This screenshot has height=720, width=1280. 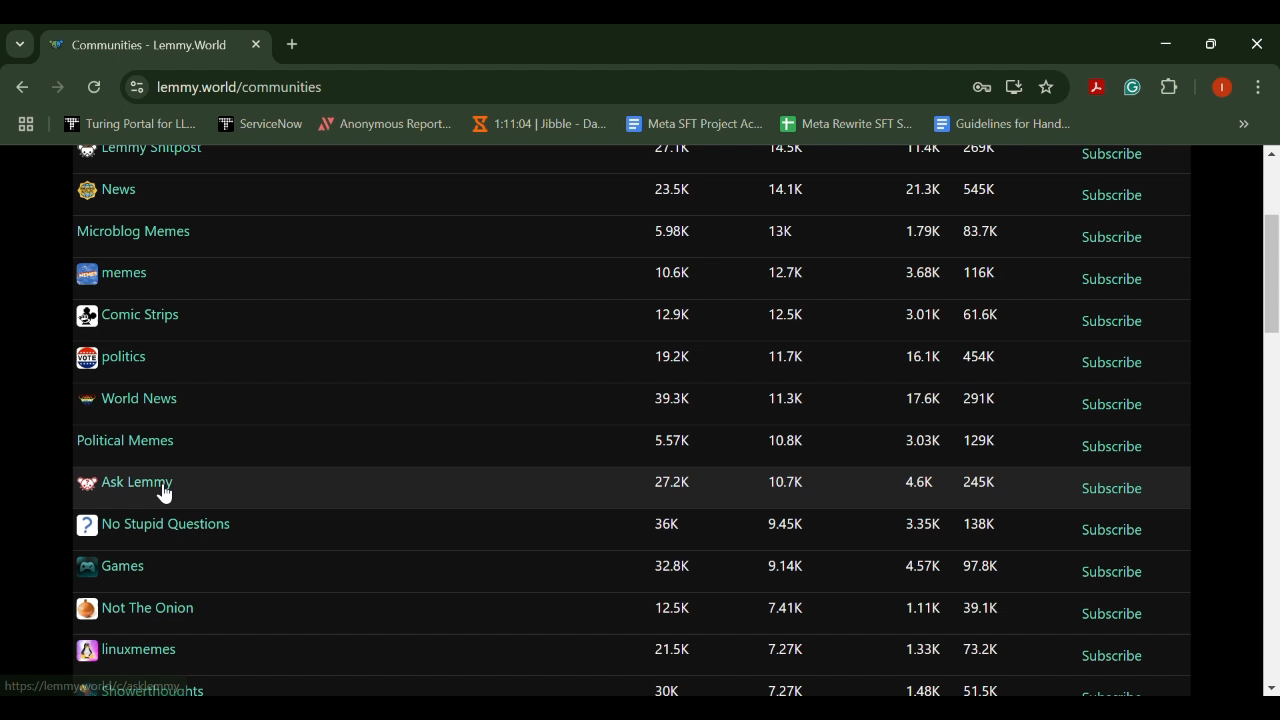 I want to click on Showerthoughts, so click(x=139, y=692).